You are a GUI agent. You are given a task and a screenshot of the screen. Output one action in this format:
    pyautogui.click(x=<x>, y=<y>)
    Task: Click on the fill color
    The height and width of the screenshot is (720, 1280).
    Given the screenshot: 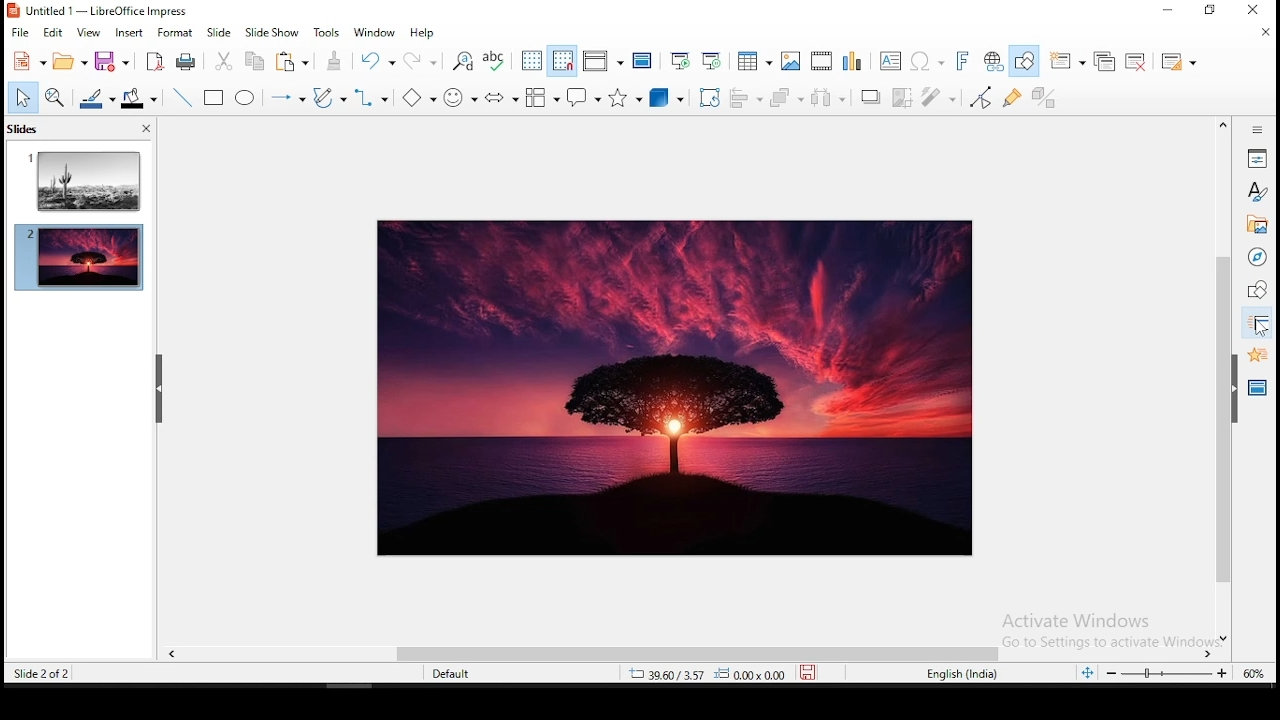 What is the action you would take?
    pyautogui.click(x=139, y=98)
    